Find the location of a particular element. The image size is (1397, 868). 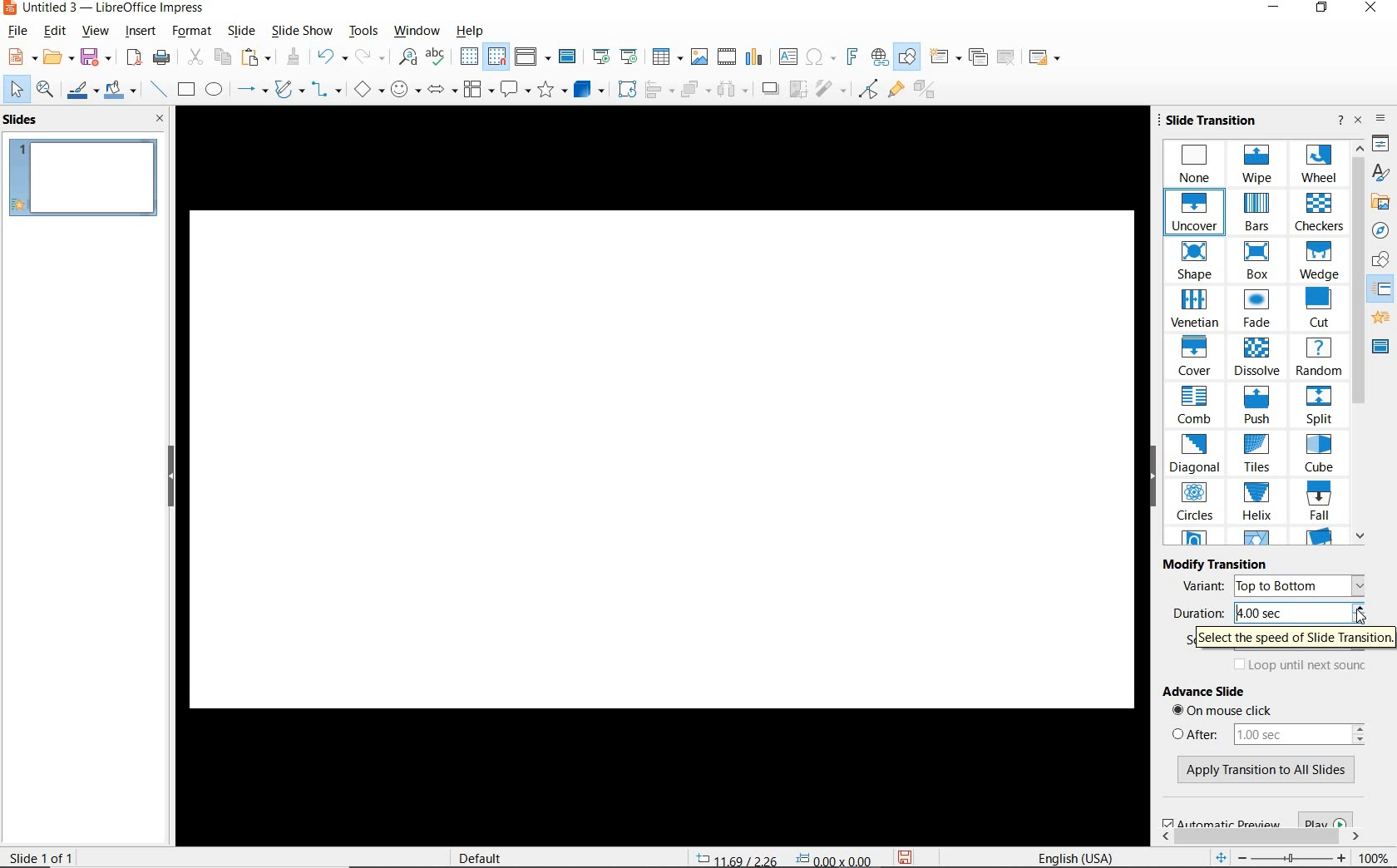

FORMAT is located at coordinates (194, 31).